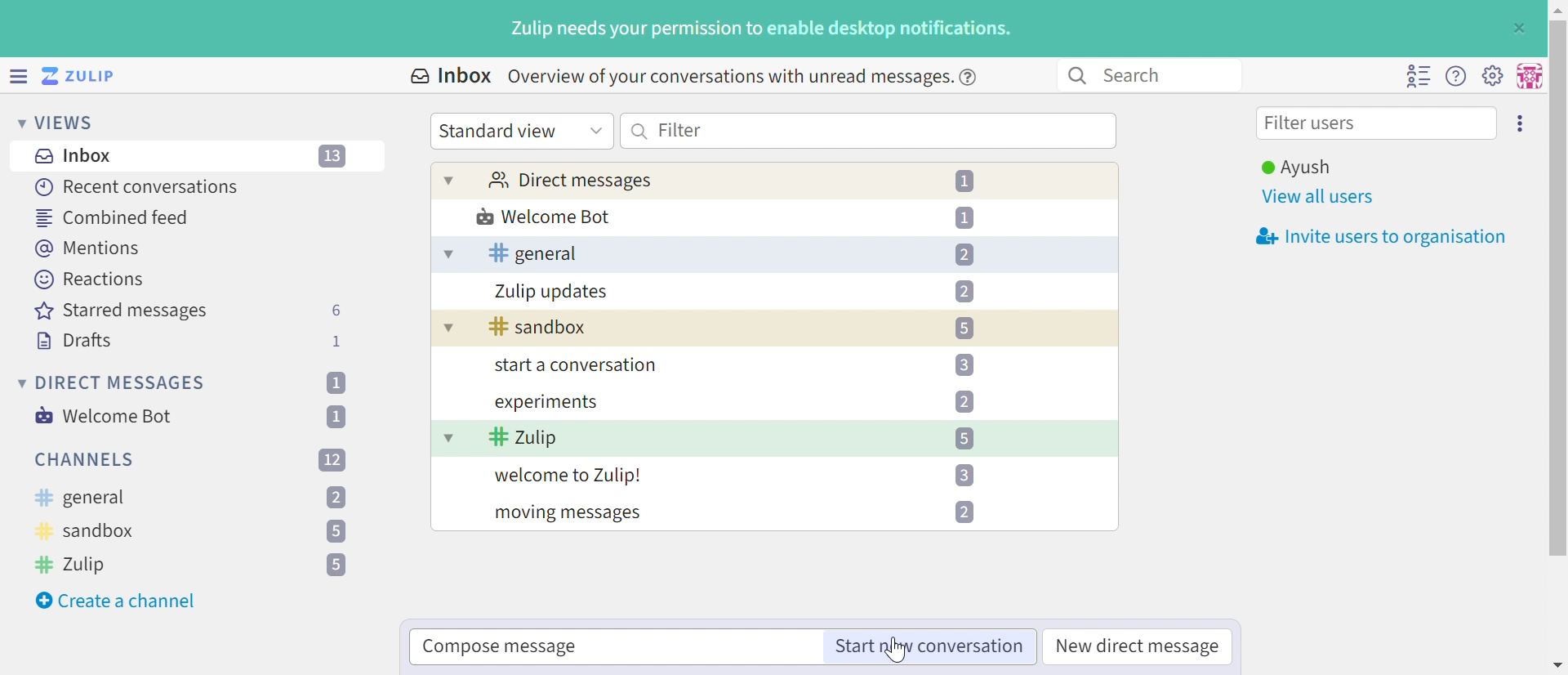 The width and height of the screenshot is (1568, 675). I want to click on Inbox, so click(449, 76).